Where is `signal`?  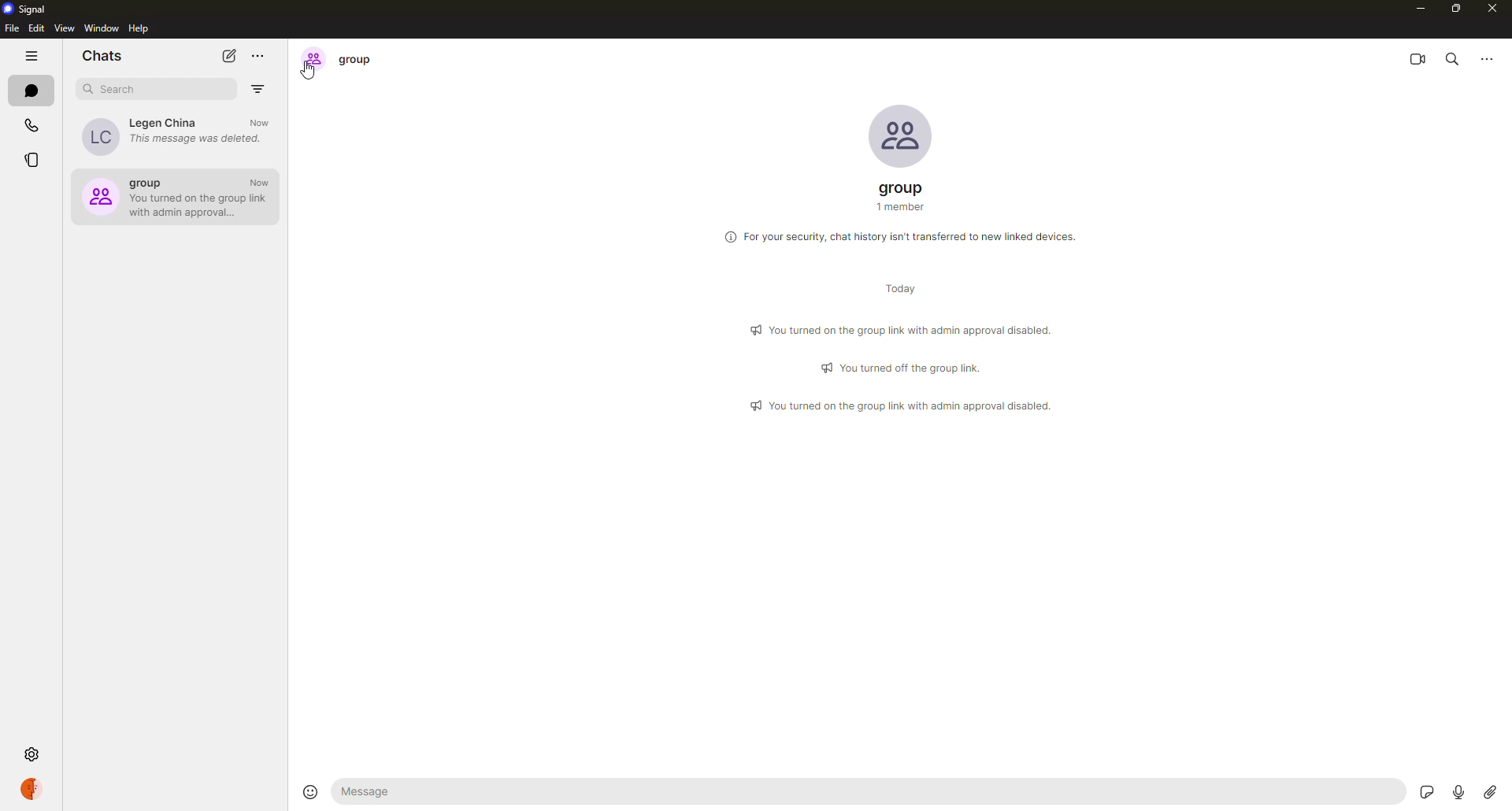 signal is located at coordinates (29, 9).